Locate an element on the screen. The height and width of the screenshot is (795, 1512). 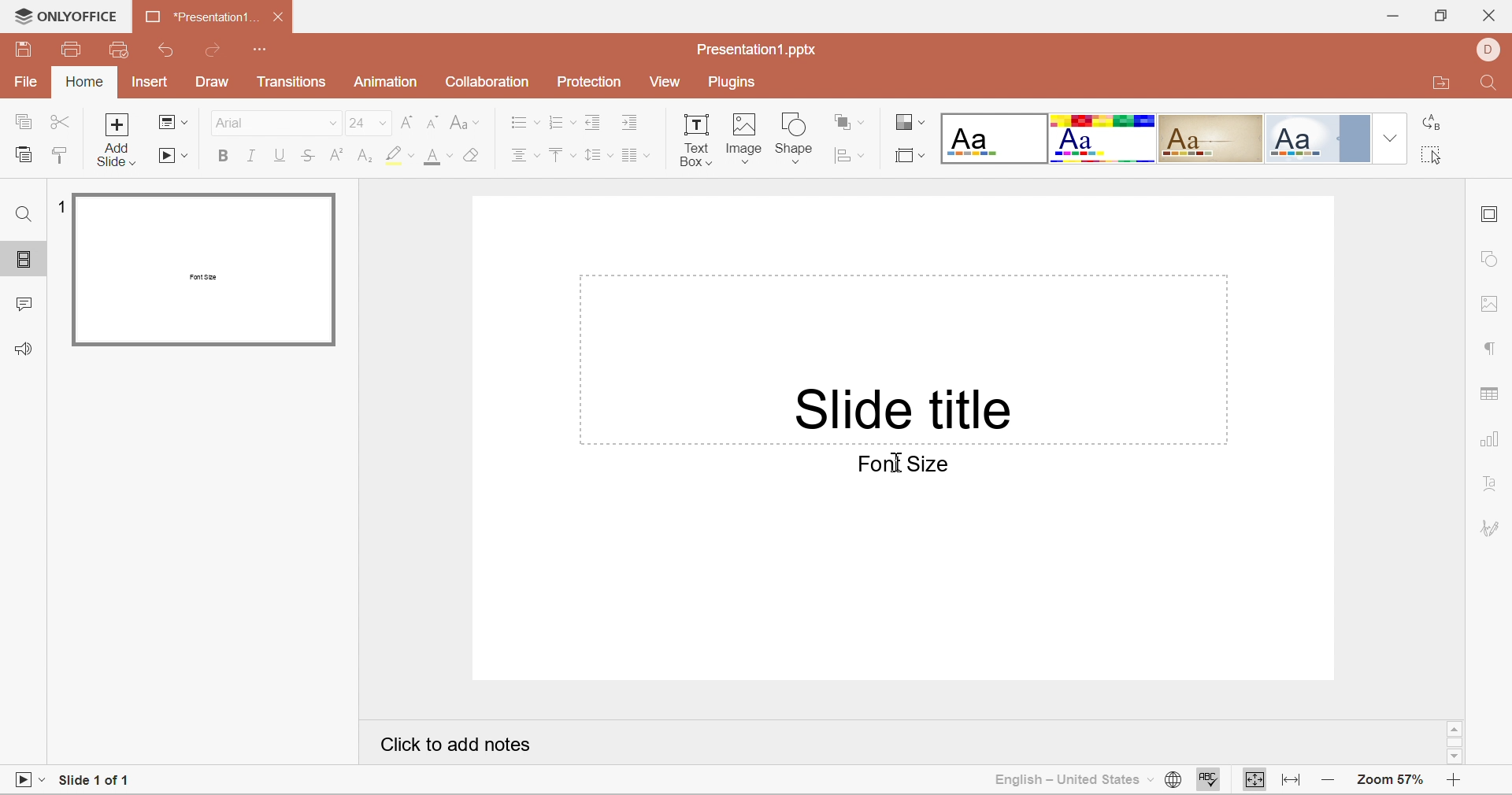
Restore Down is located at coordinates (1440, 17).